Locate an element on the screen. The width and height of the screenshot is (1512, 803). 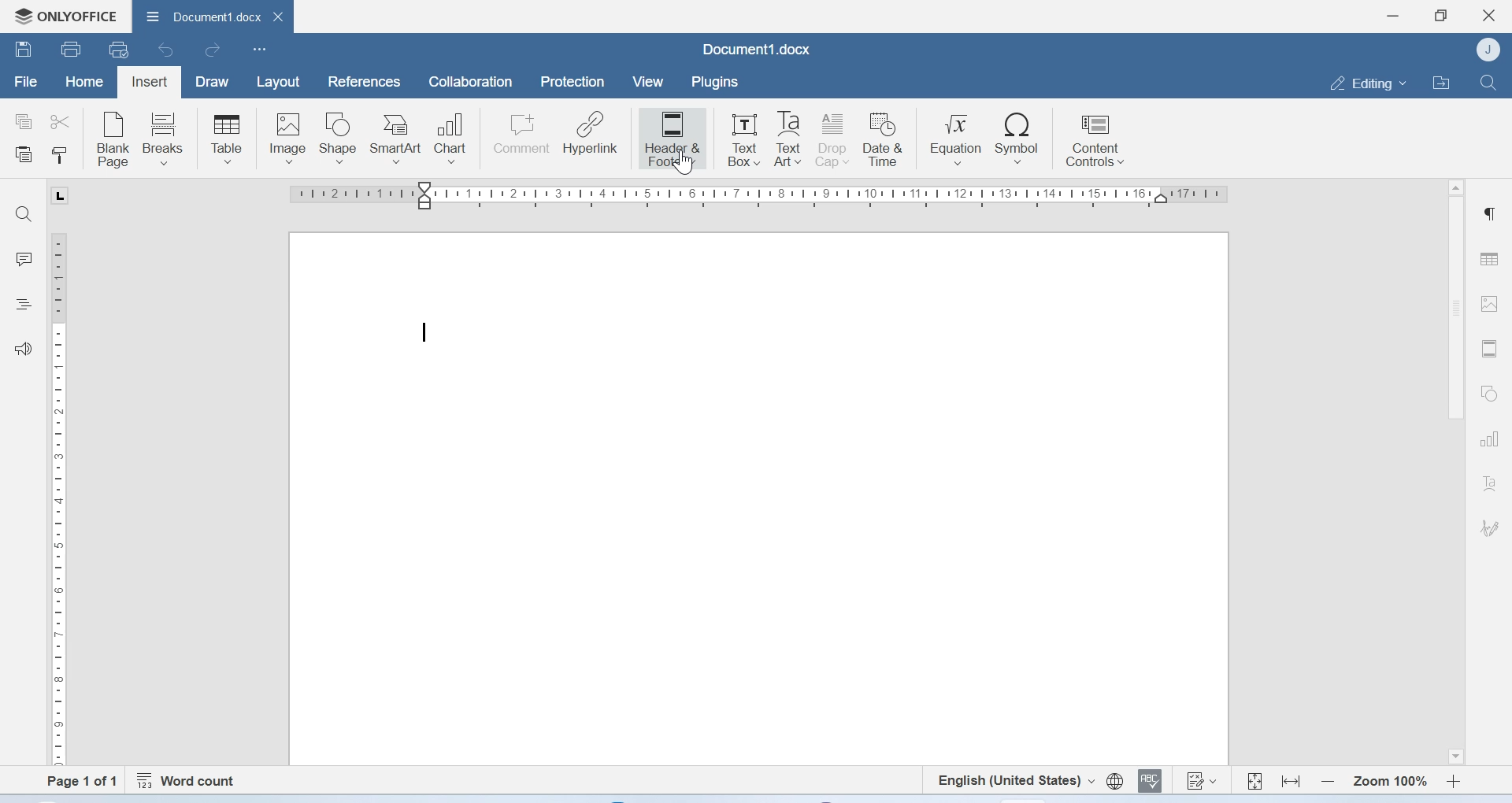
plugins is located at coordinates (721, 82).